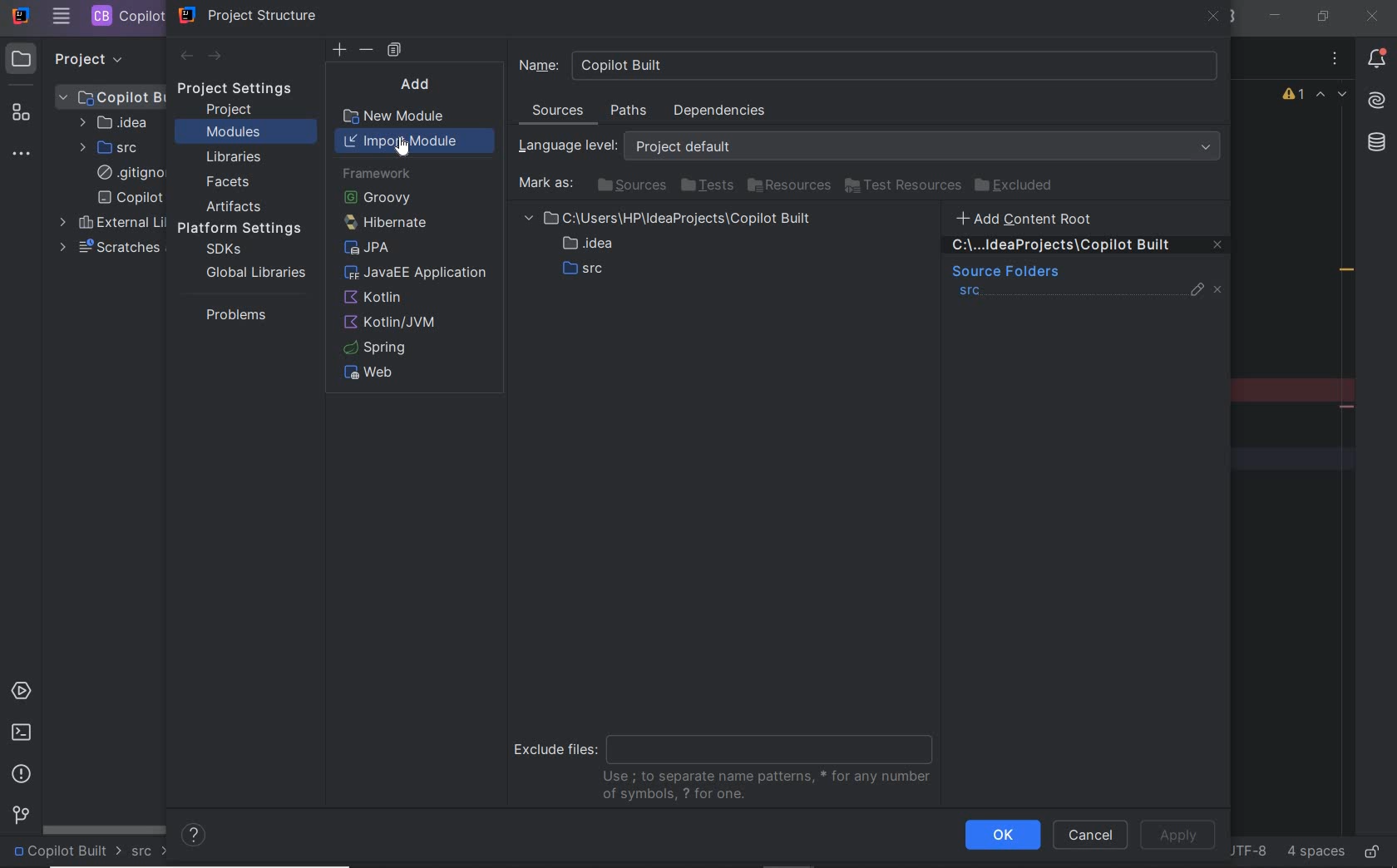 This screenshot has width=1397, height=868. What do you see at coordinates (1034, 218) in the screenshot?
I see `add content root` at bounding box center [1034, 218].